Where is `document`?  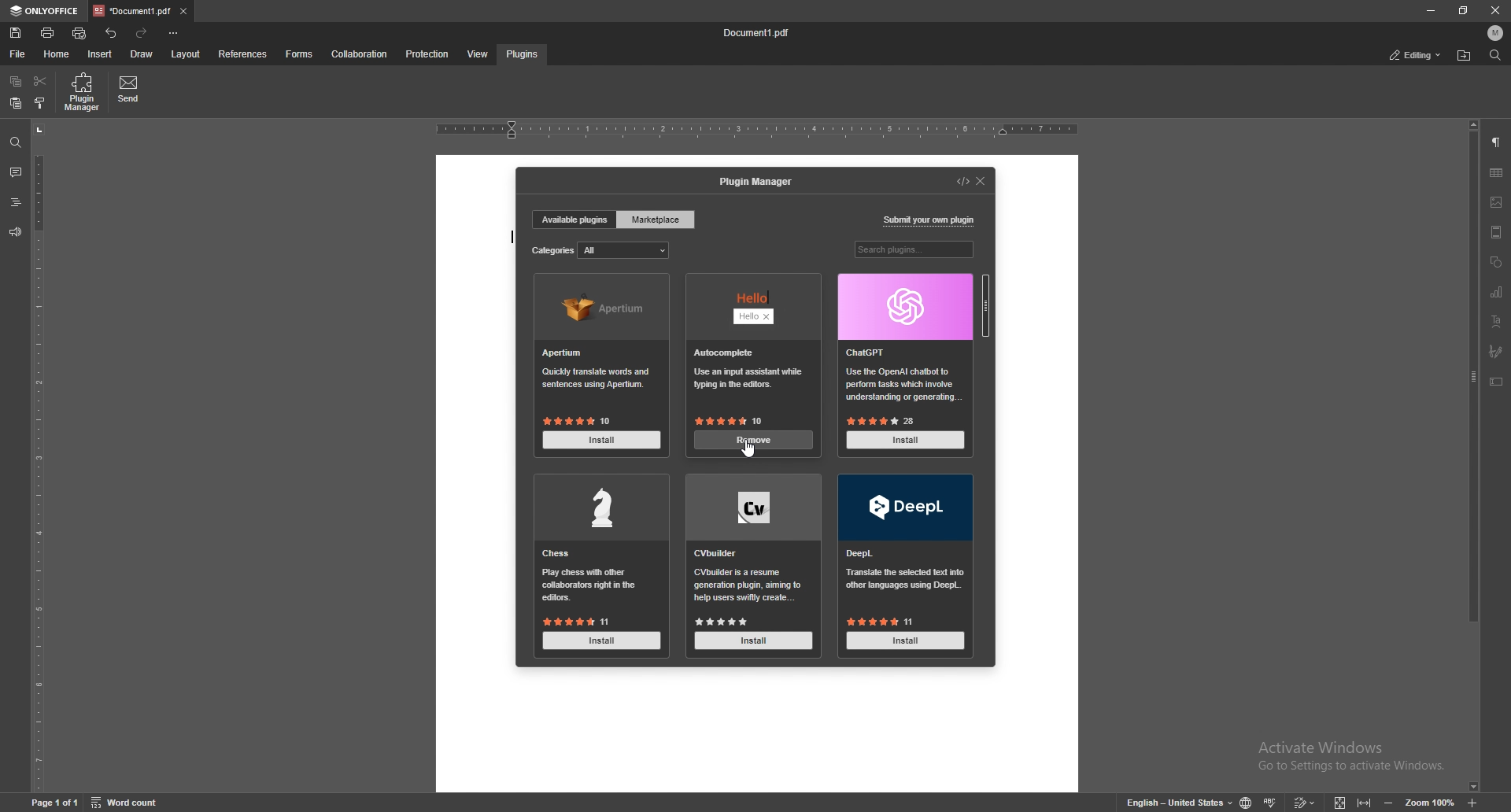 document is located at coordinates (476, 474).